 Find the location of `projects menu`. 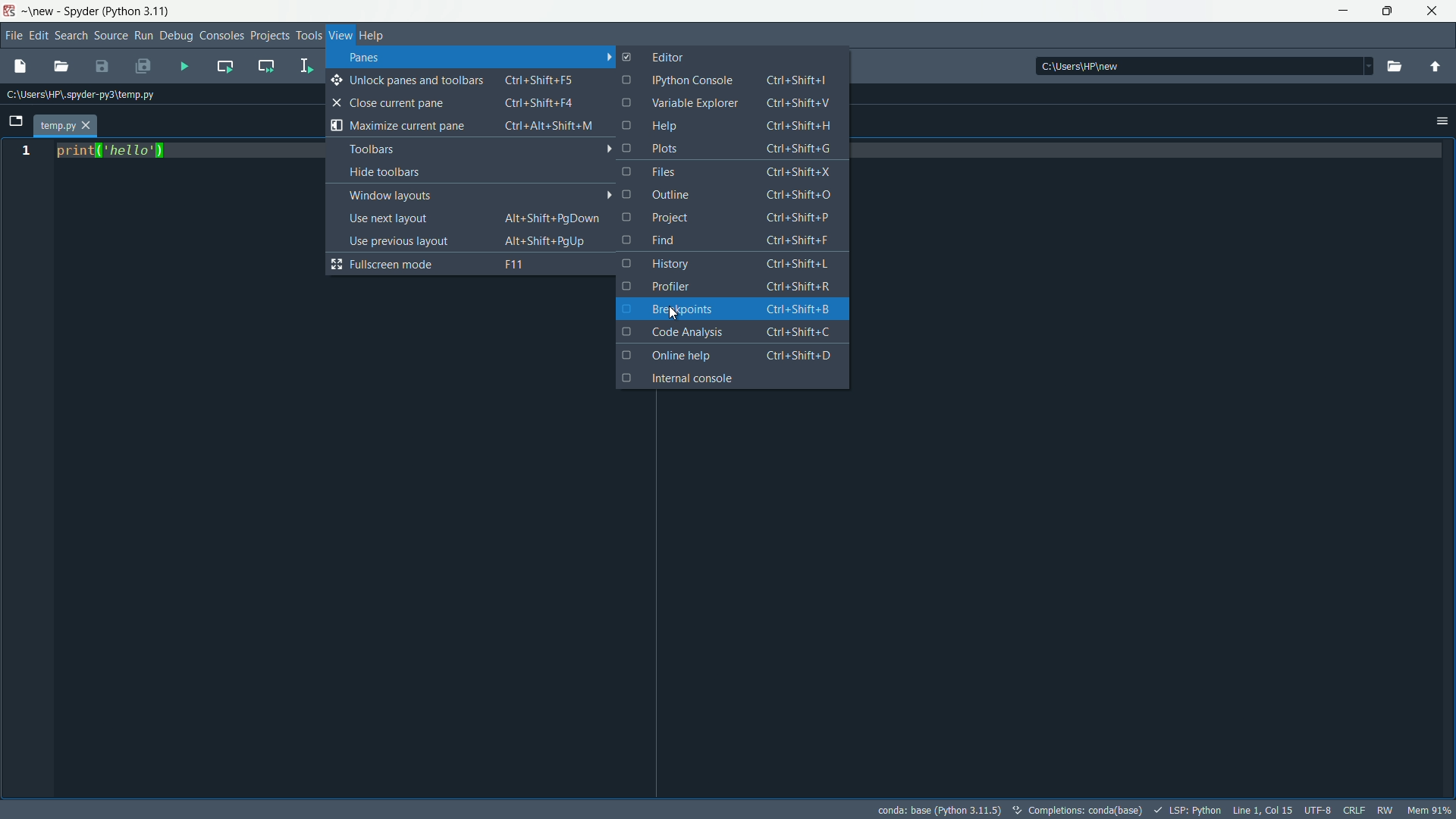

projects menu is located at coordinates (269, 35).